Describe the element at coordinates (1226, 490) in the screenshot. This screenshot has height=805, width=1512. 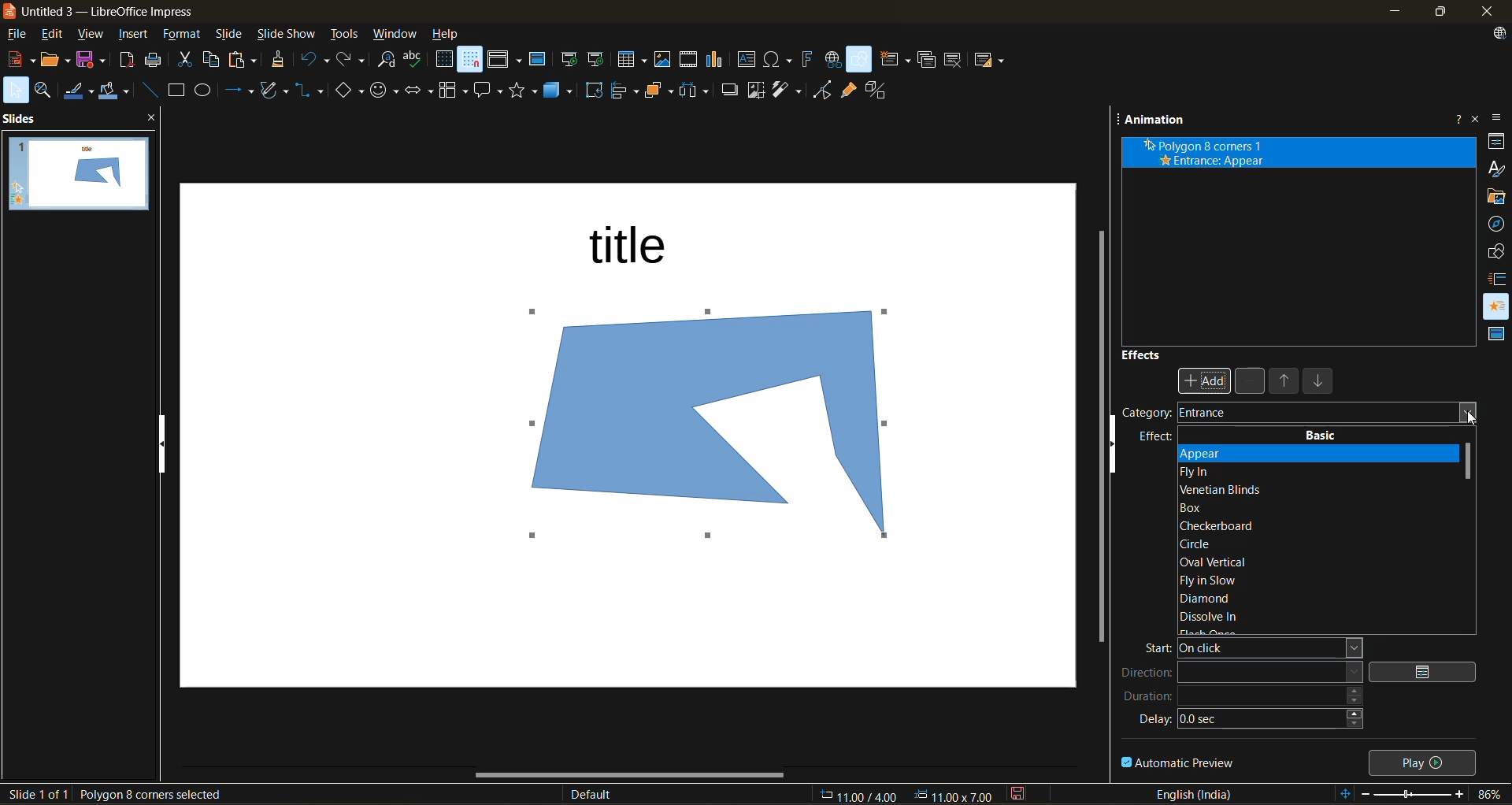
I see `venetian blinds` at that location.